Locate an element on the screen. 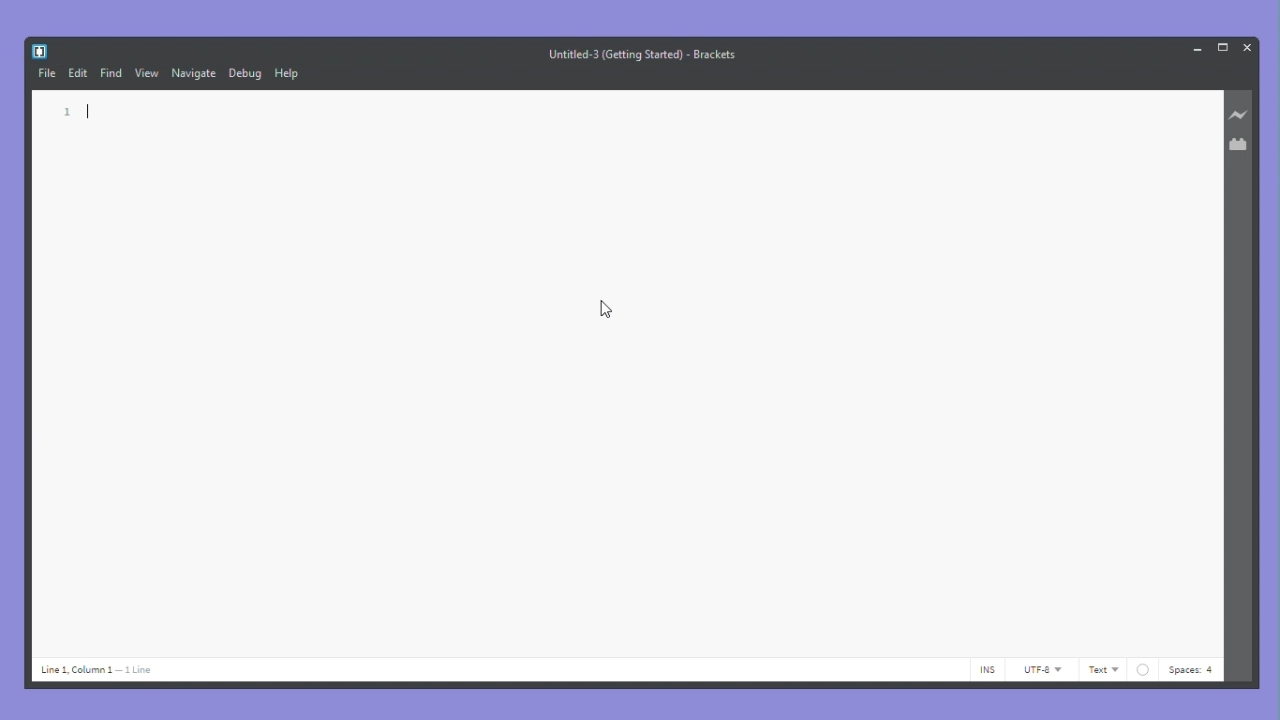  spaces is located at coordinates (1174, 669).